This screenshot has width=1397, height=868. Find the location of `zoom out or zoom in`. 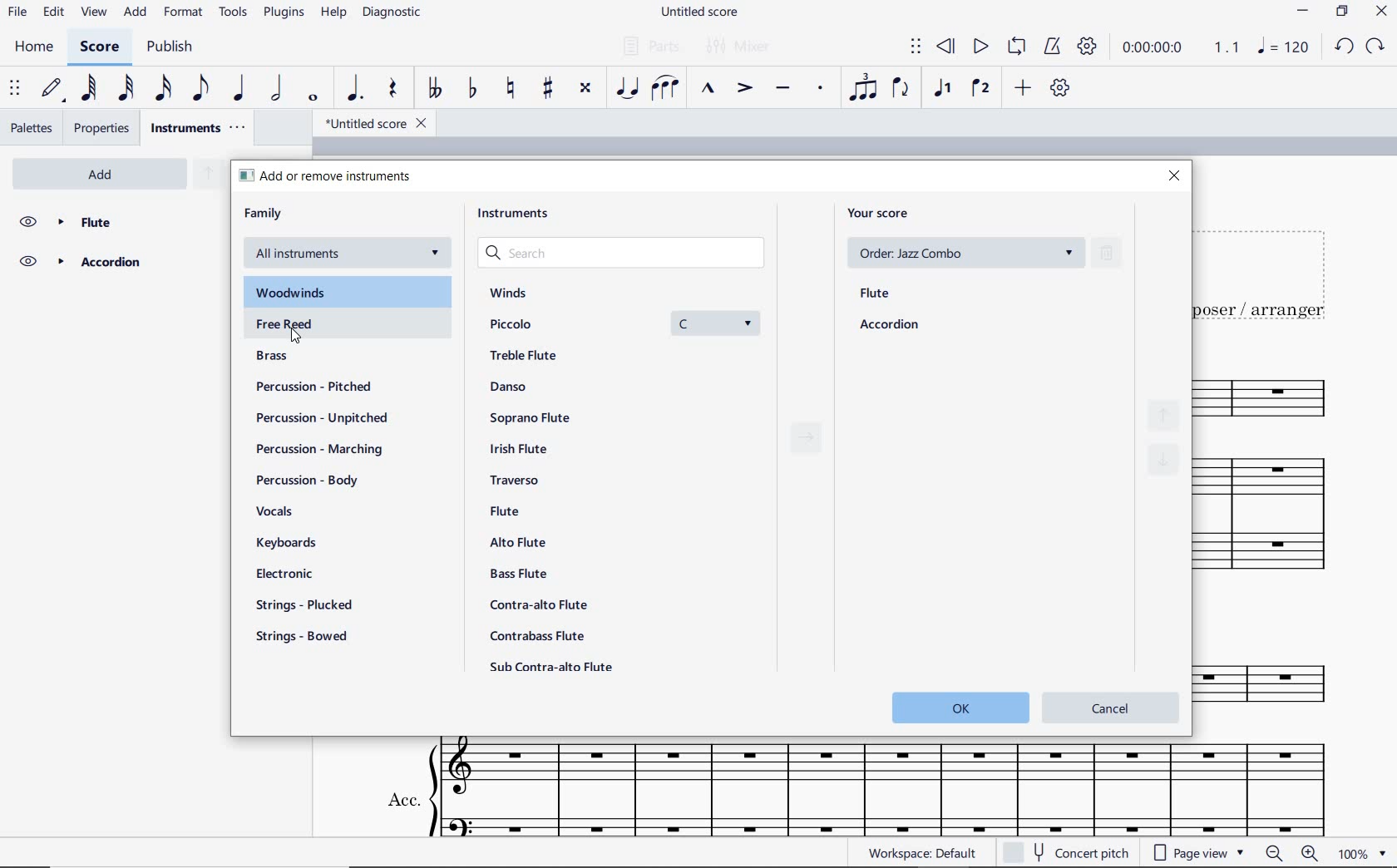

zoom out or zoom in is located at coordinates (1291, 854).